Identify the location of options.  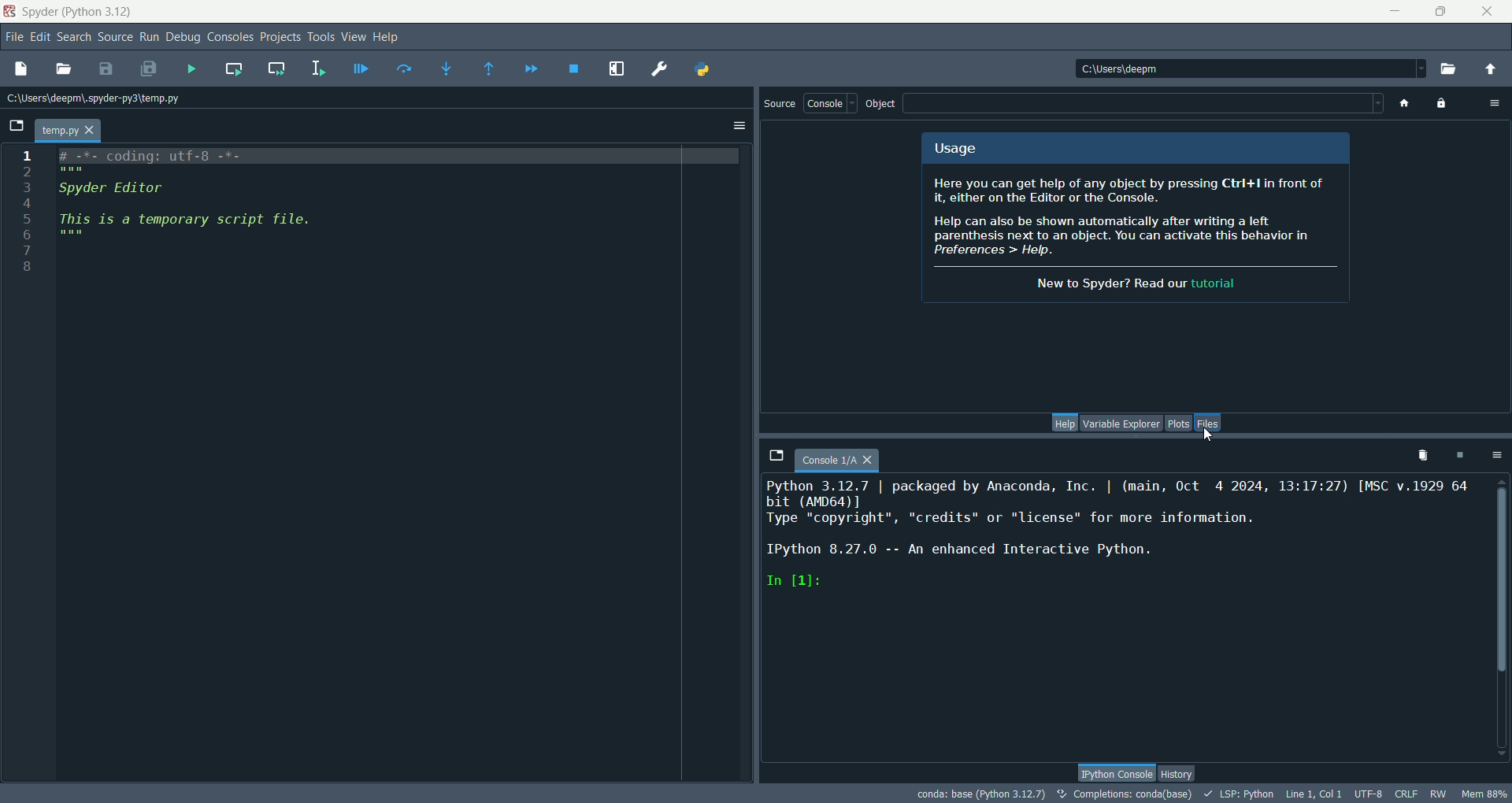
(1499, 453).